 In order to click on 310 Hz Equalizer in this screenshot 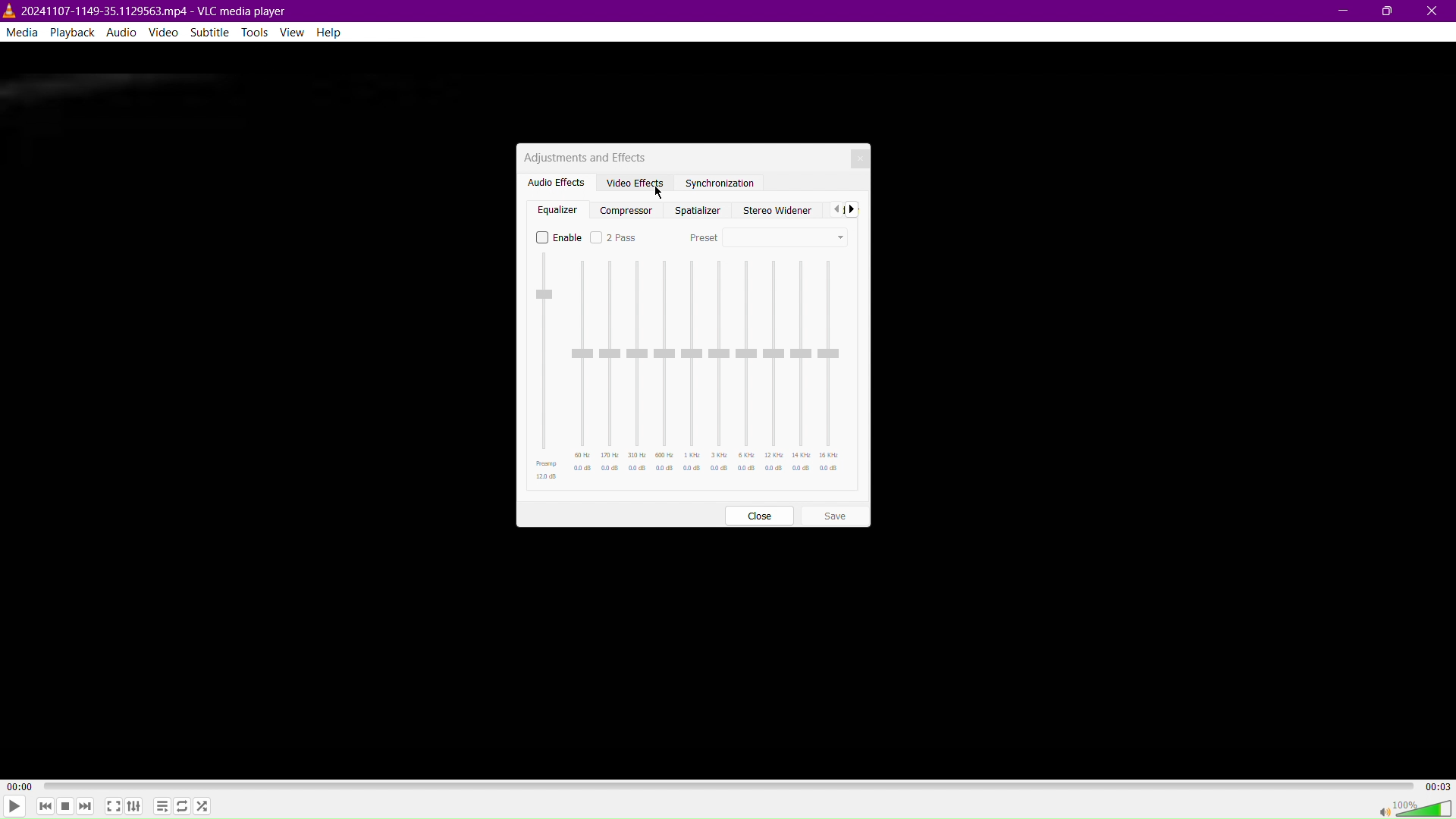, I will do `click(638, 369)`.